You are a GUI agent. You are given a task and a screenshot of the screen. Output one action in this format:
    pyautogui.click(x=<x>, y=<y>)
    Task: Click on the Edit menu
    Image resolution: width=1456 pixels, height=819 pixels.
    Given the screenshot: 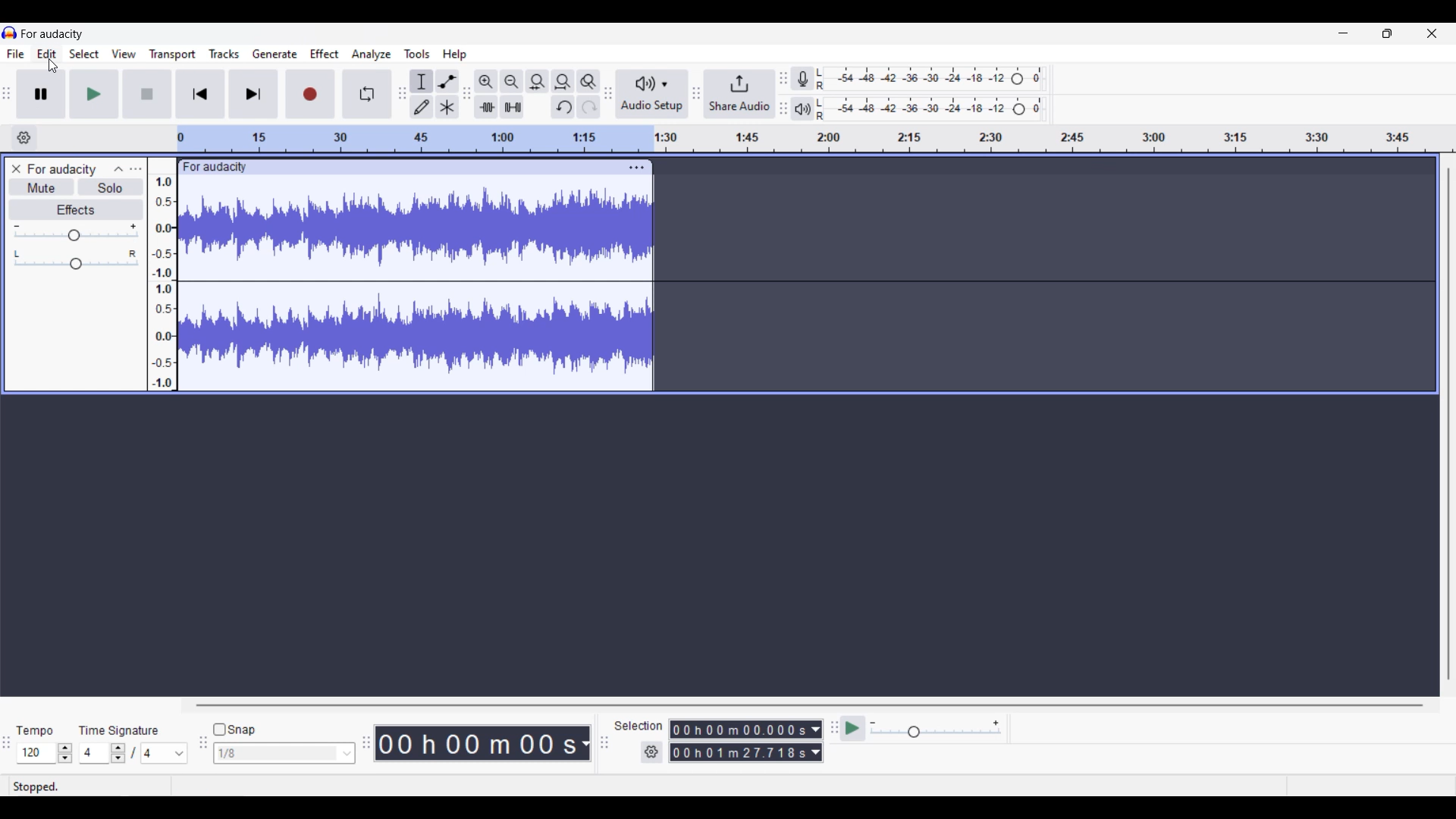 What is the action you would take?
    pyautogui.click(x=47, y=54)
    